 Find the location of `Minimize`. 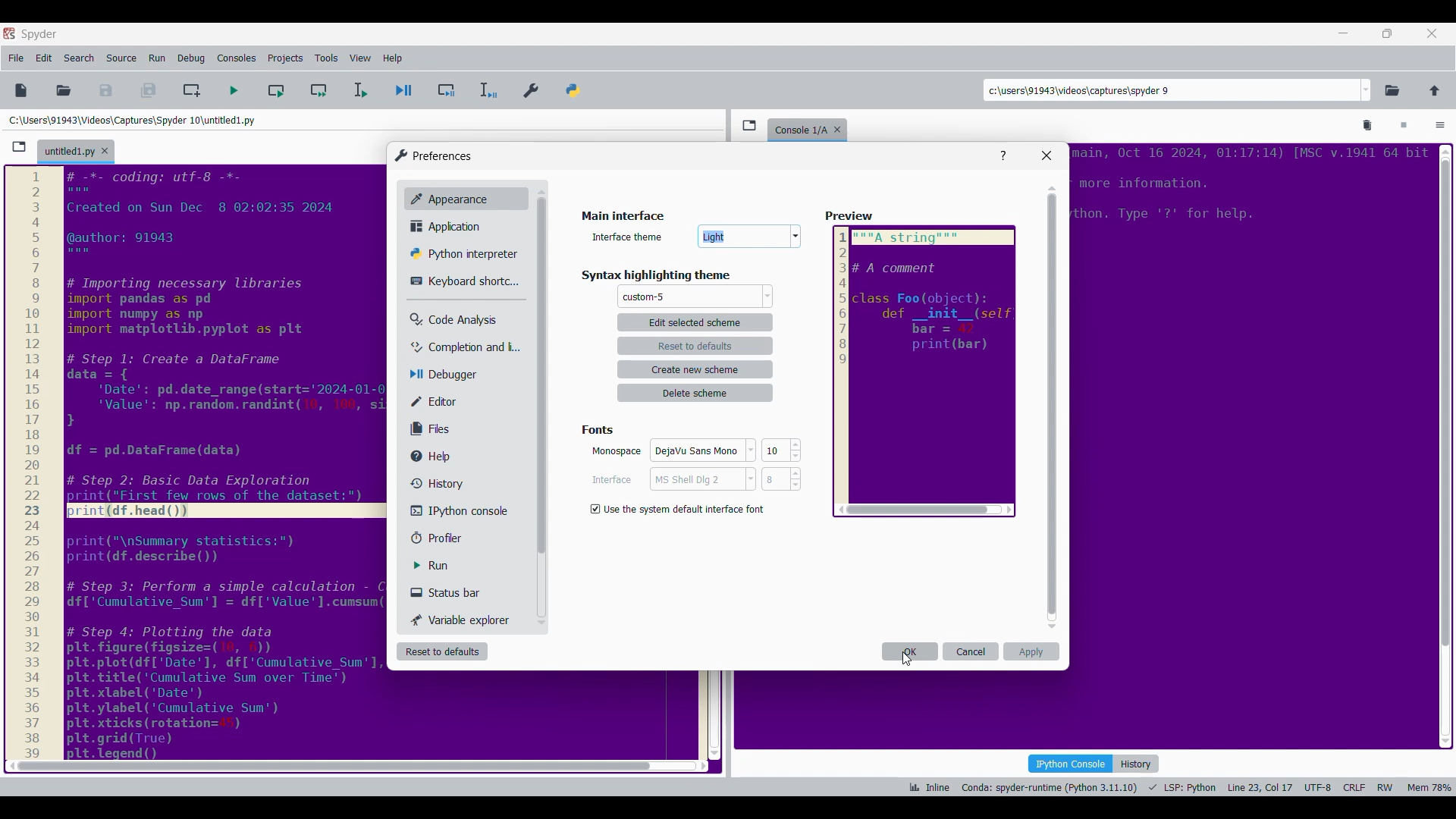

Minimize is located at coordinates (1344, 33).